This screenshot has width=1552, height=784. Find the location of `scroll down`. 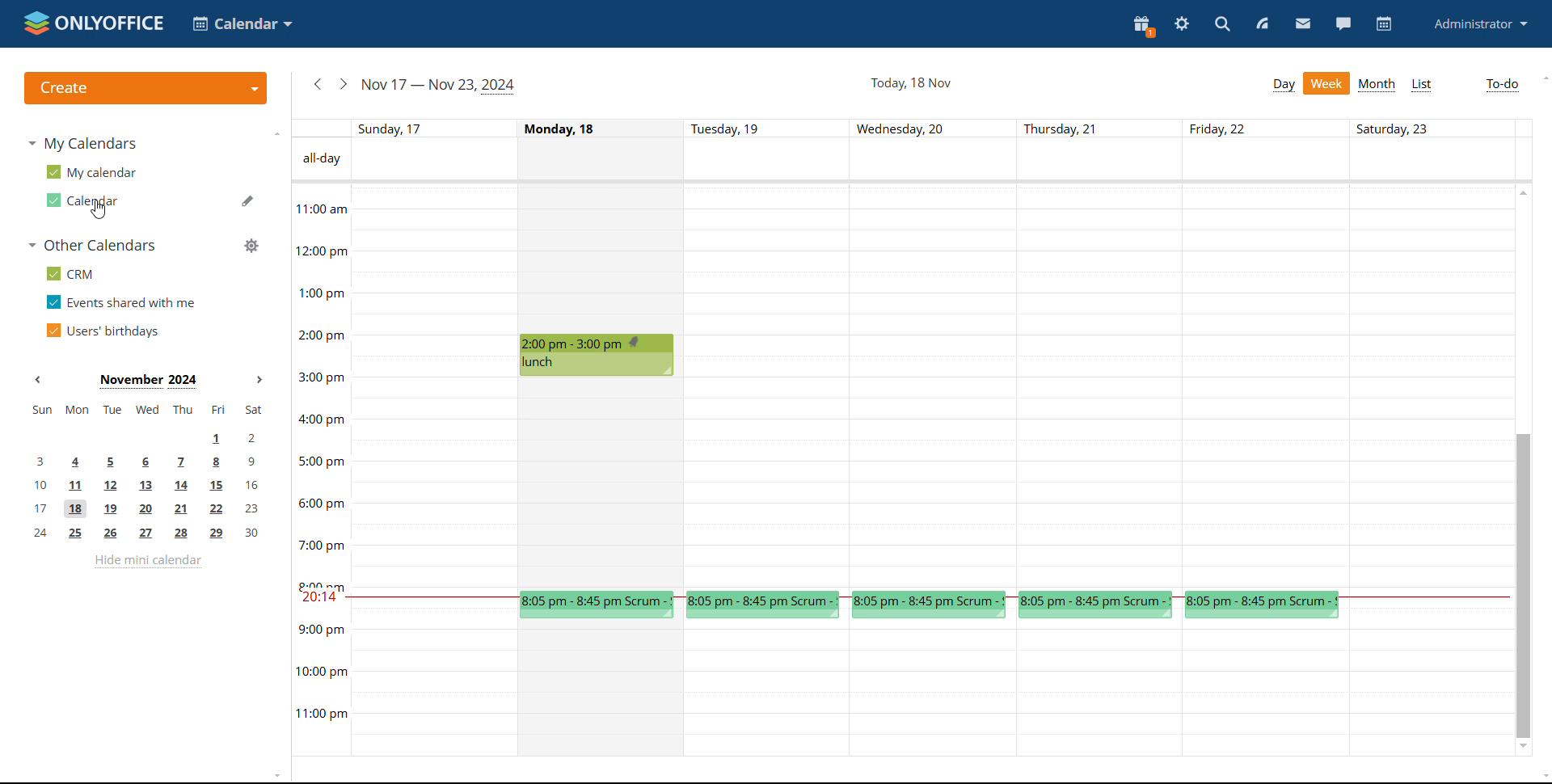

scroll down is located at coordinates (1523, 747).